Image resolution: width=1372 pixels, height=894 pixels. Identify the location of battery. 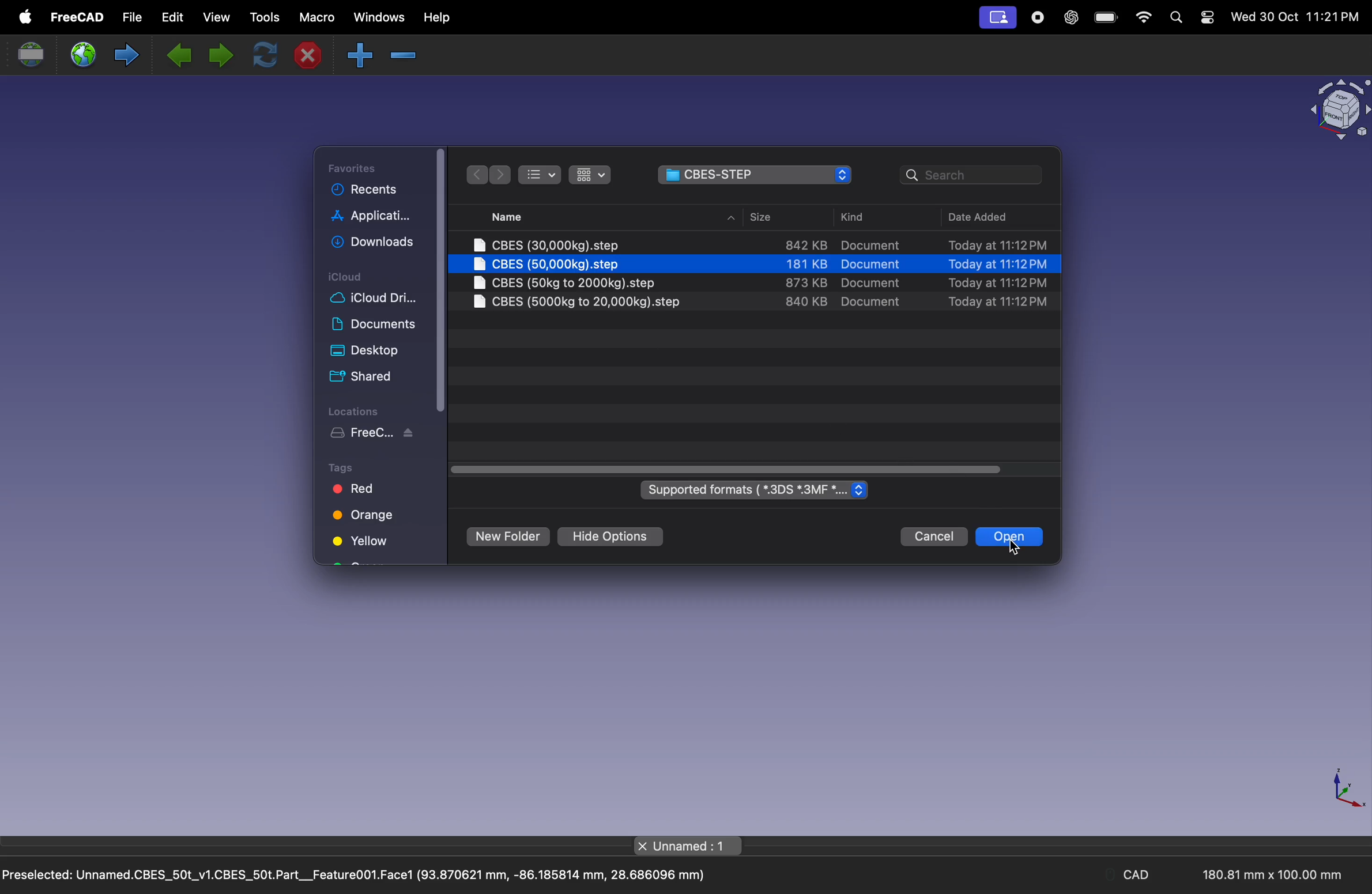
(1105, 18).